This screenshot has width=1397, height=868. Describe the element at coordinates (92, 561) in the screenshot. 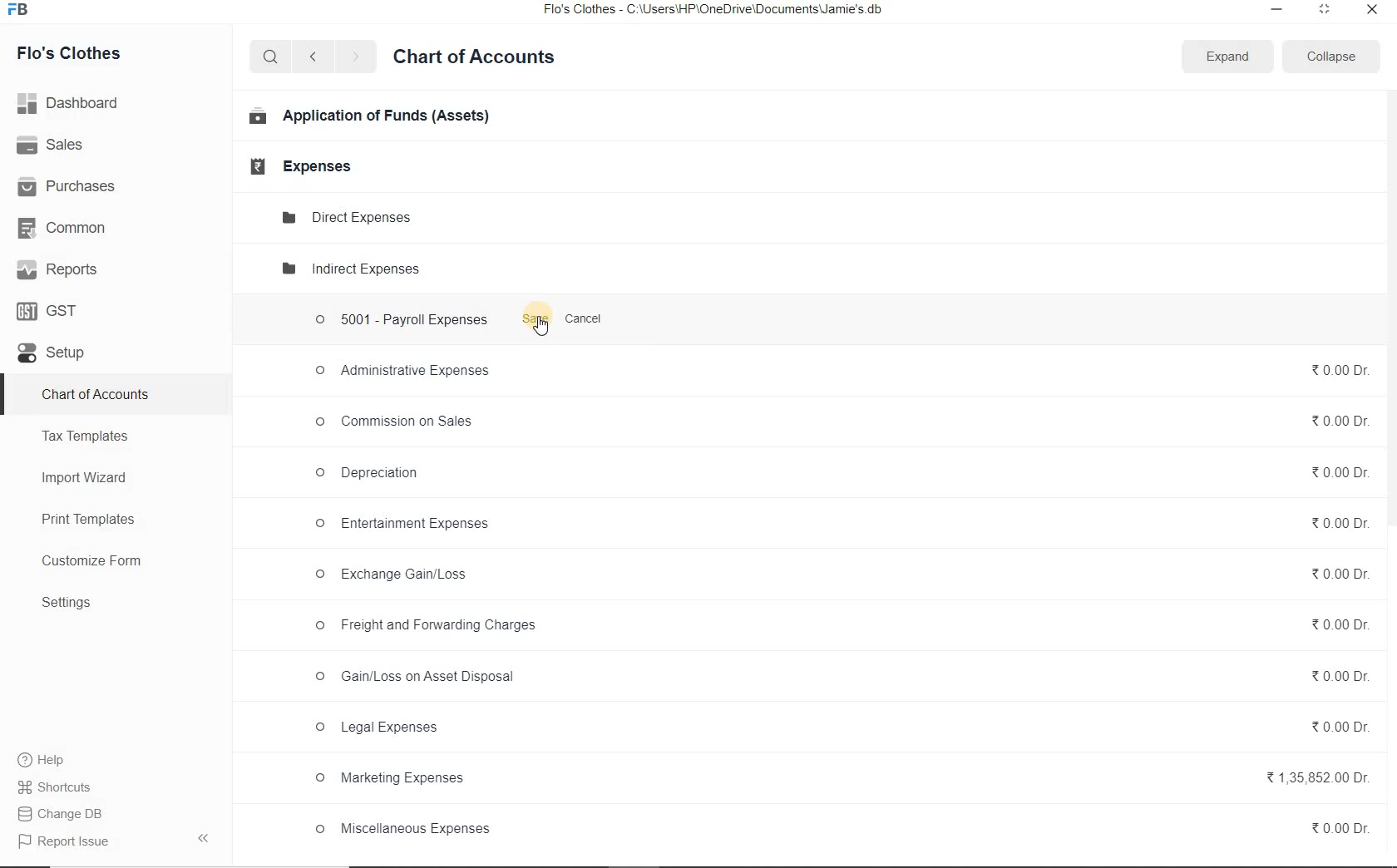

I see `Customize Form` at that location.